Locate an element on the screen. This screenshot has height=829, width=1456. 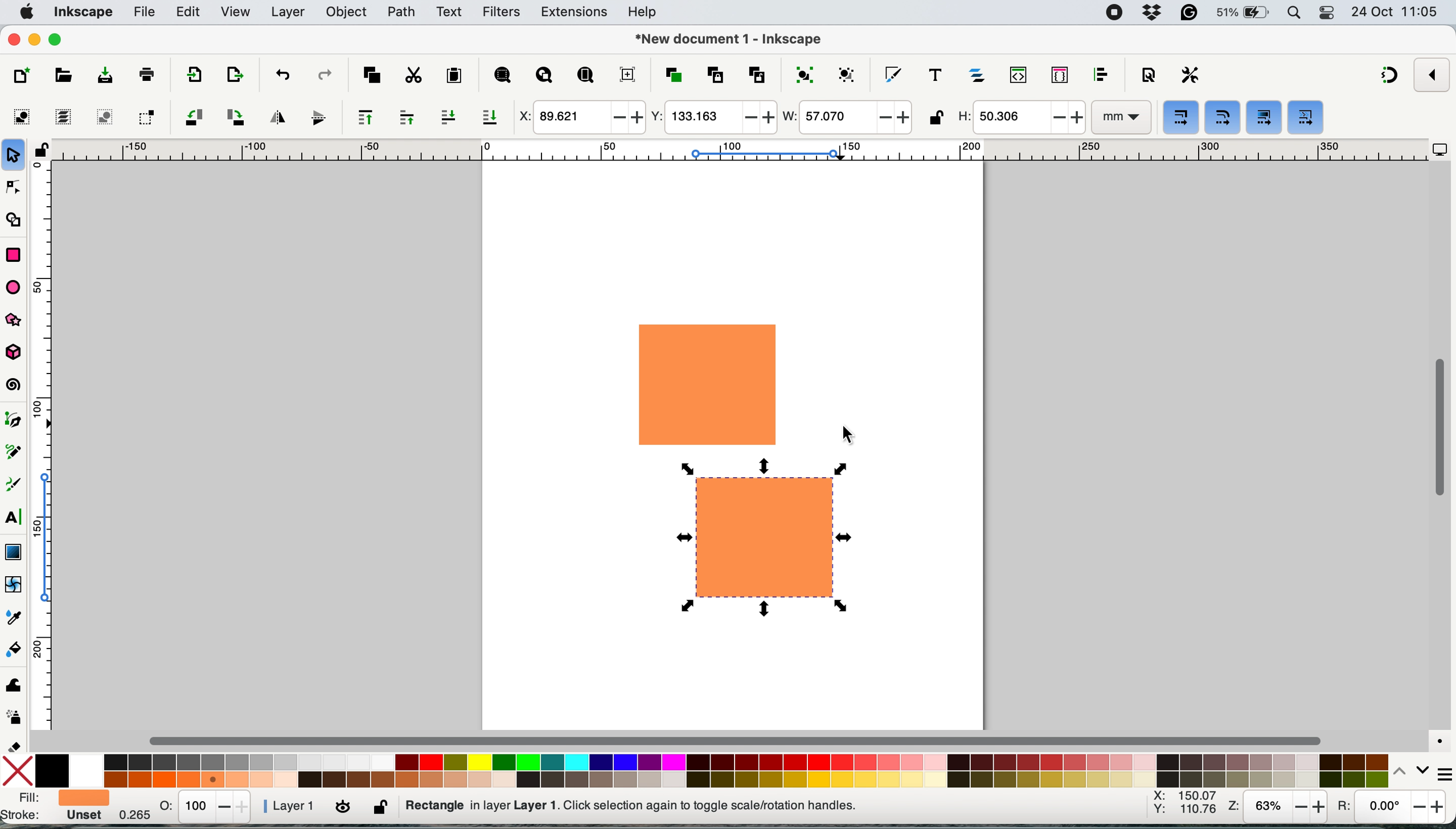
vertical scale is located at coordinates (52, 451).